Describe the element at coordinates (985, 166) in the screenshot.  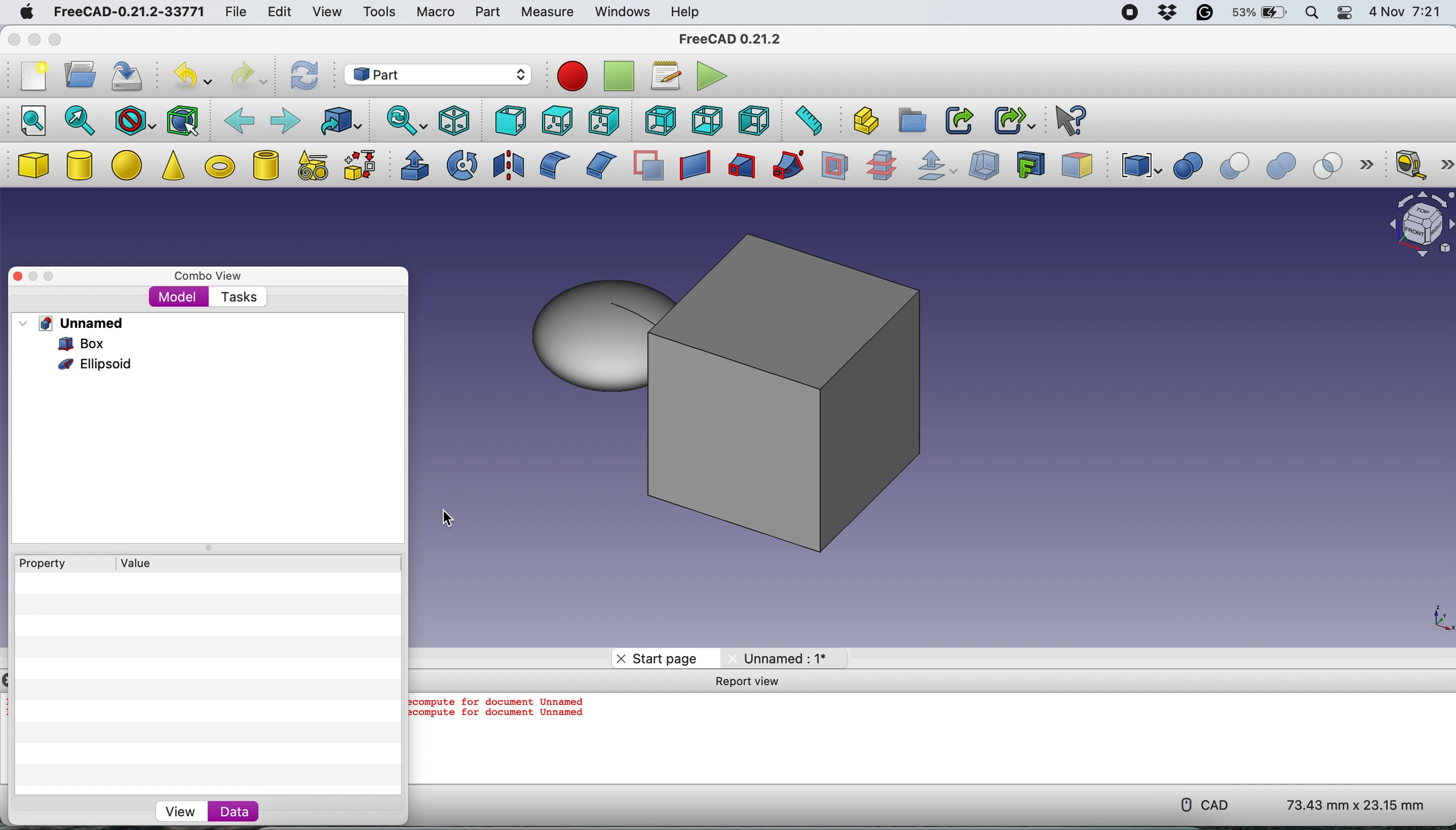
I see `thickness` at that location.